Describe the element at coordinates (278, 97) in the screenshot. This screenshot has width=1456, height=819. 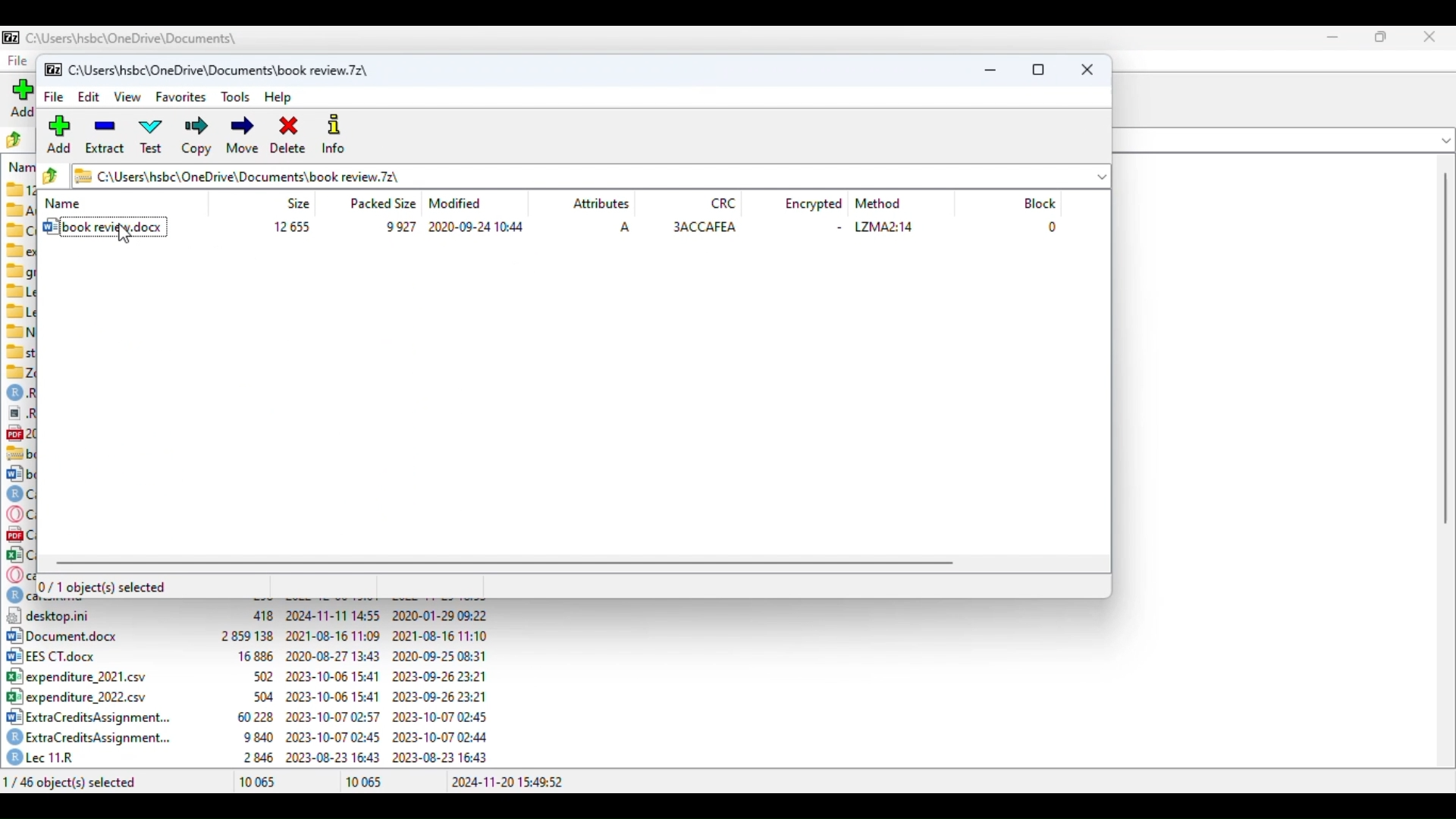
I see `help` at that location.